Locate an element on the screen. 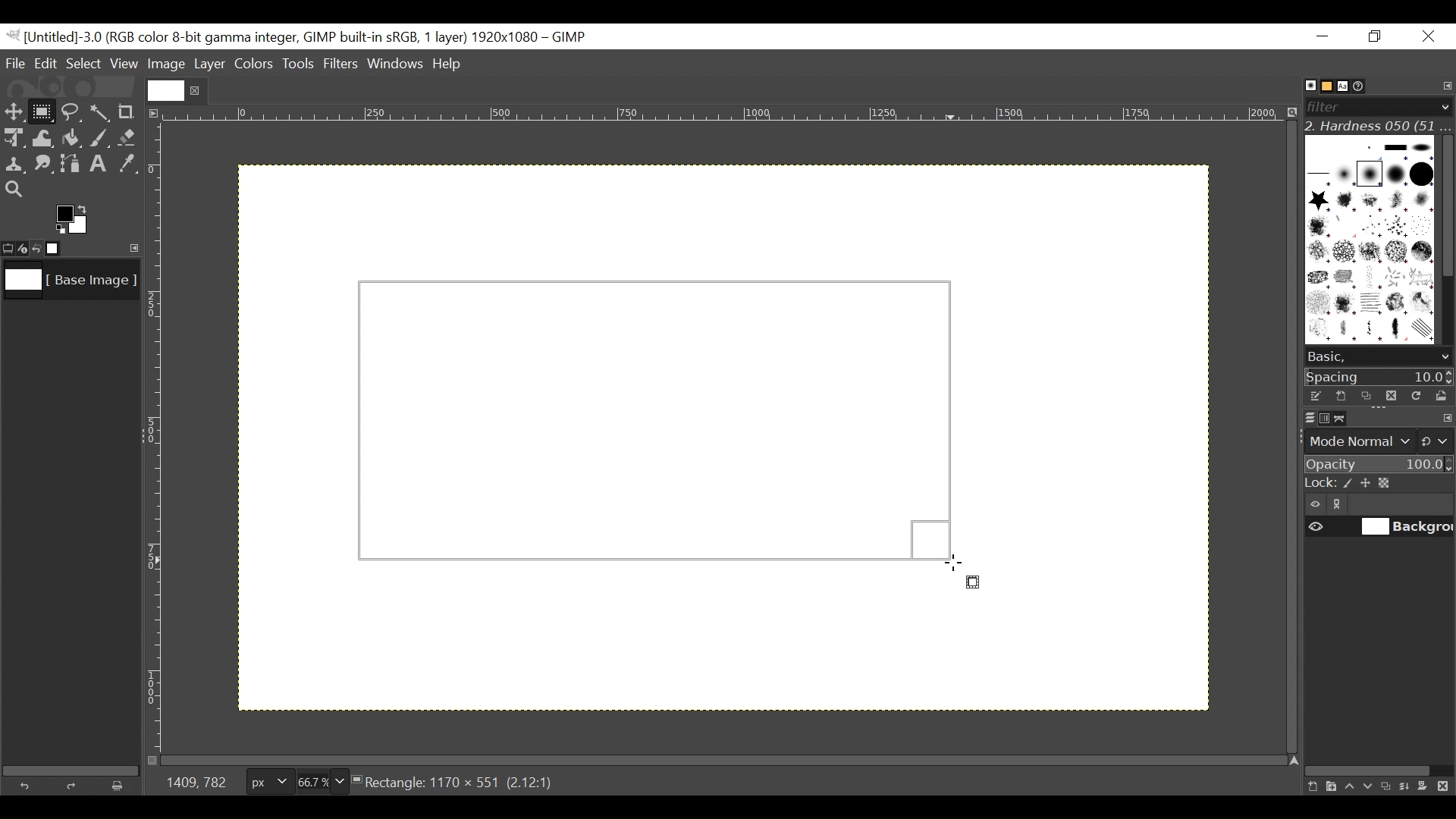 This screenshot has height=819, width=1456. Filters is located at coordinates (342, 65).